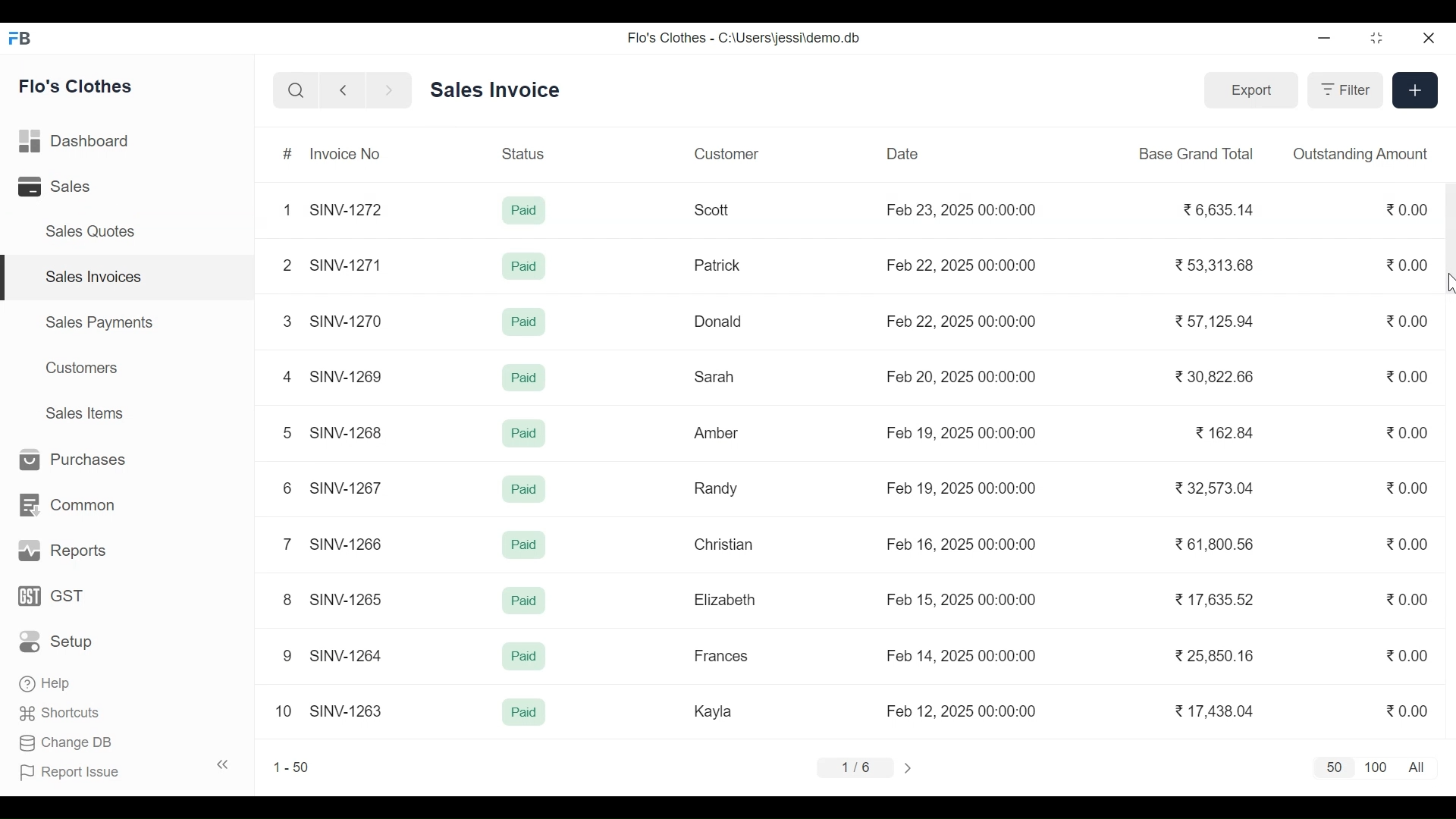 This screenshot has height=819, width=1456. I want to click on 8, so click(288, 599).